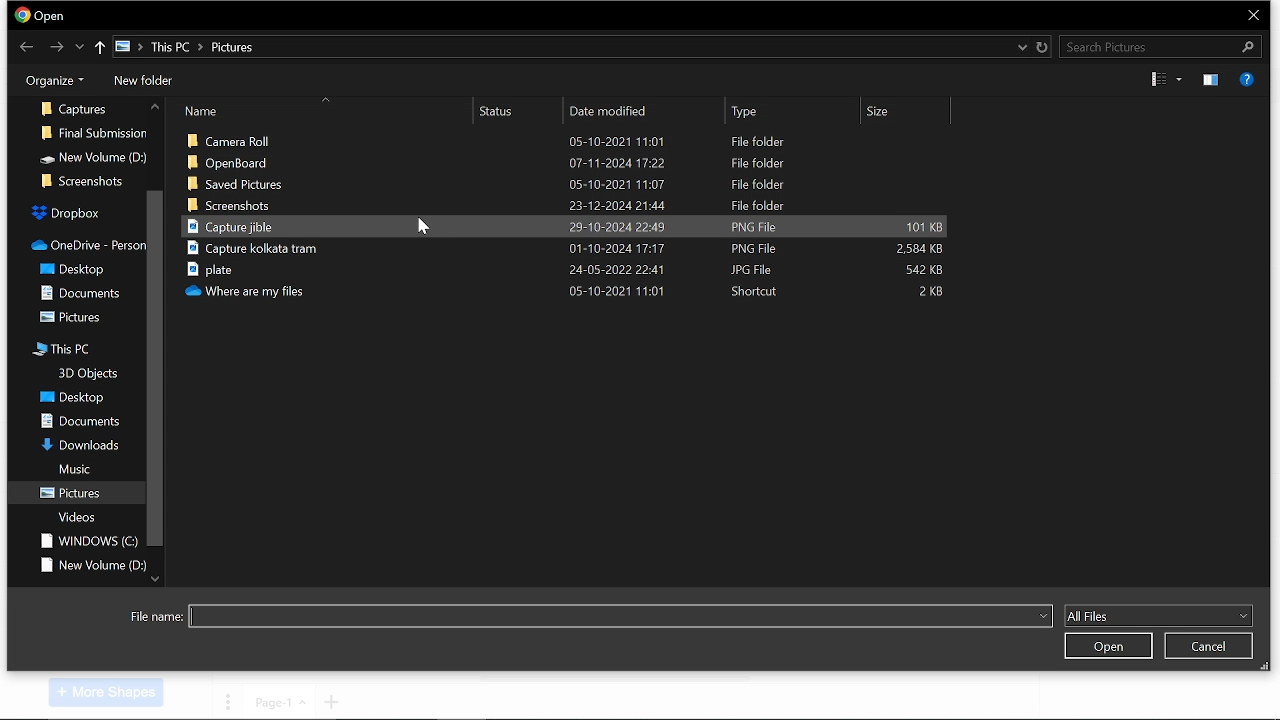 The height and width of the screenshot is (720, 1280). Describe the element at coordinates (75, 267) in the screenshot. I see `folders` at that location.